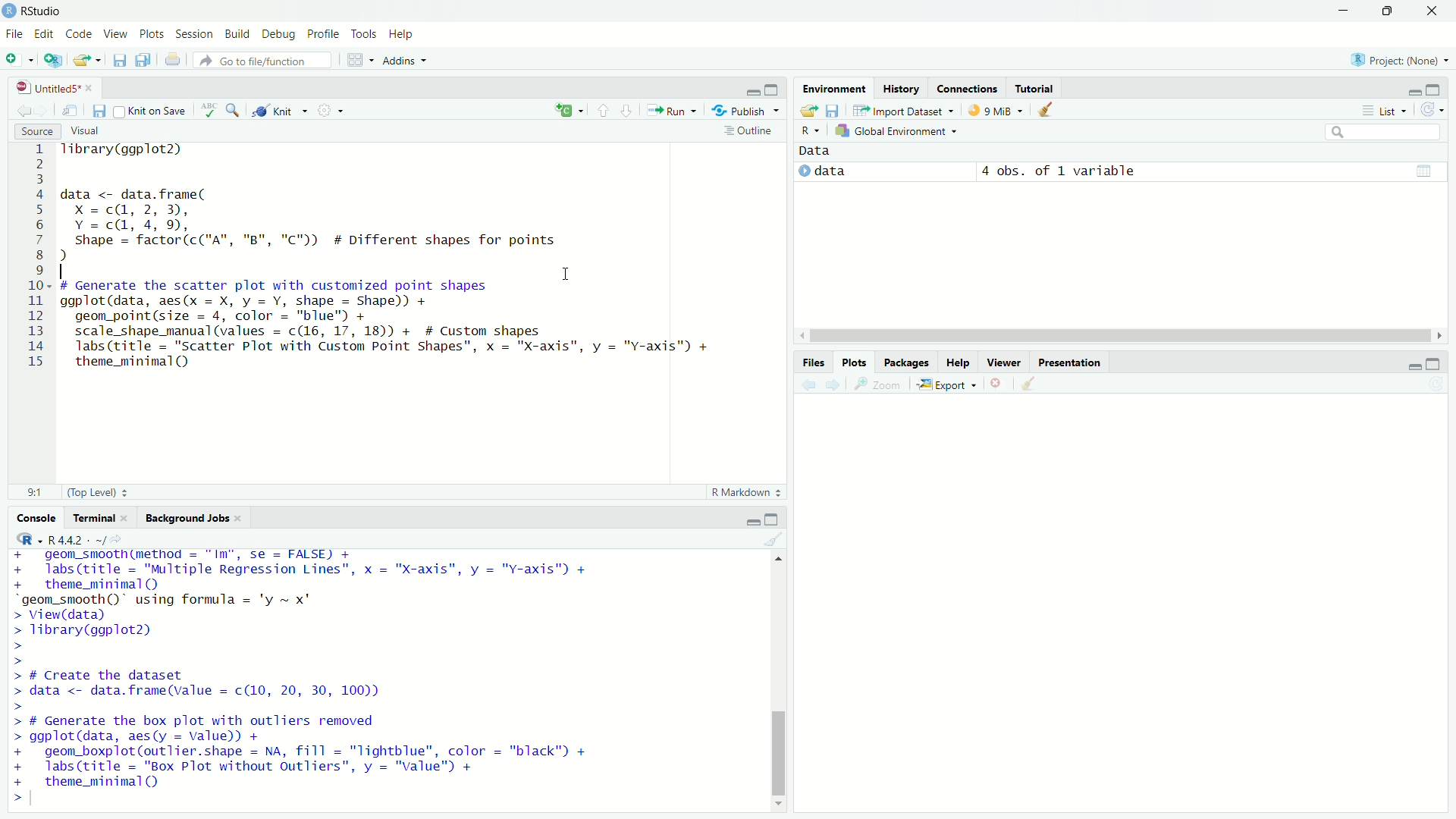 The width and height of the screenshot is (1456, 819). I want to click on New file, so click(19, 60).